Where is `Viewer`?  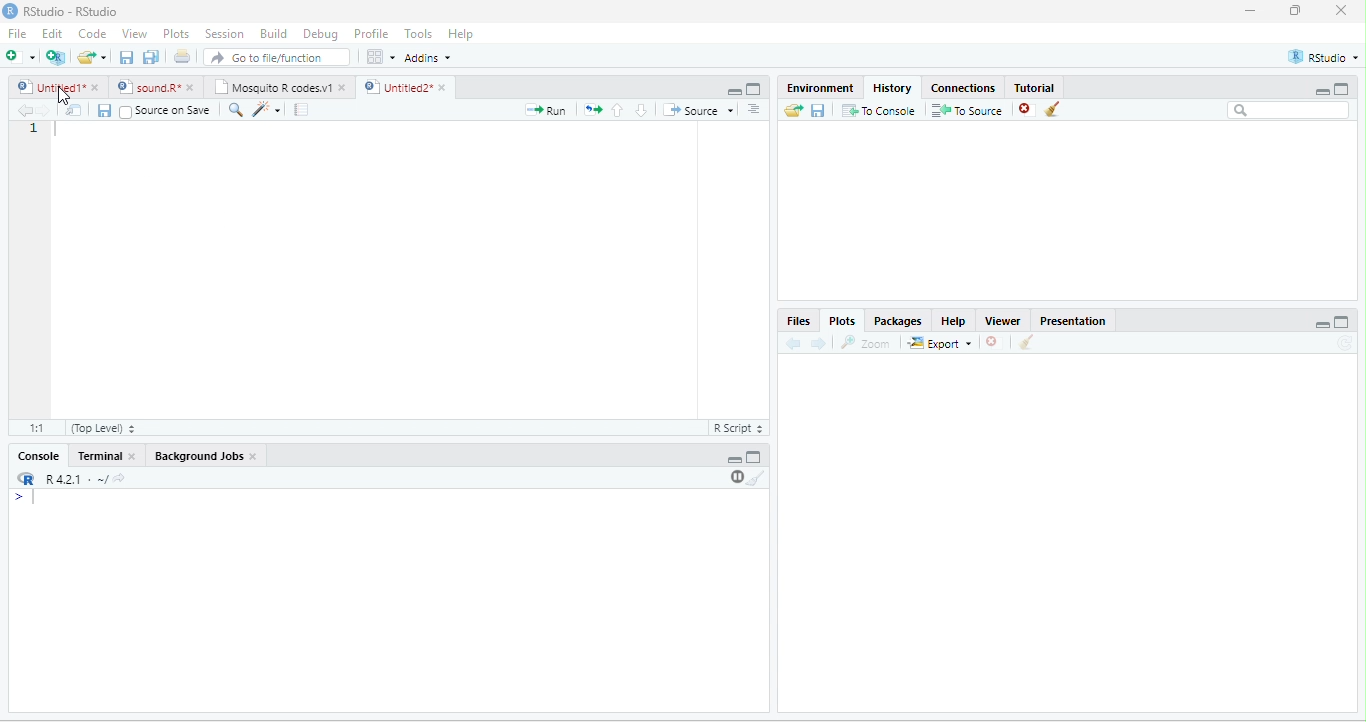
Viewer is located at coordinates (1003, 321).